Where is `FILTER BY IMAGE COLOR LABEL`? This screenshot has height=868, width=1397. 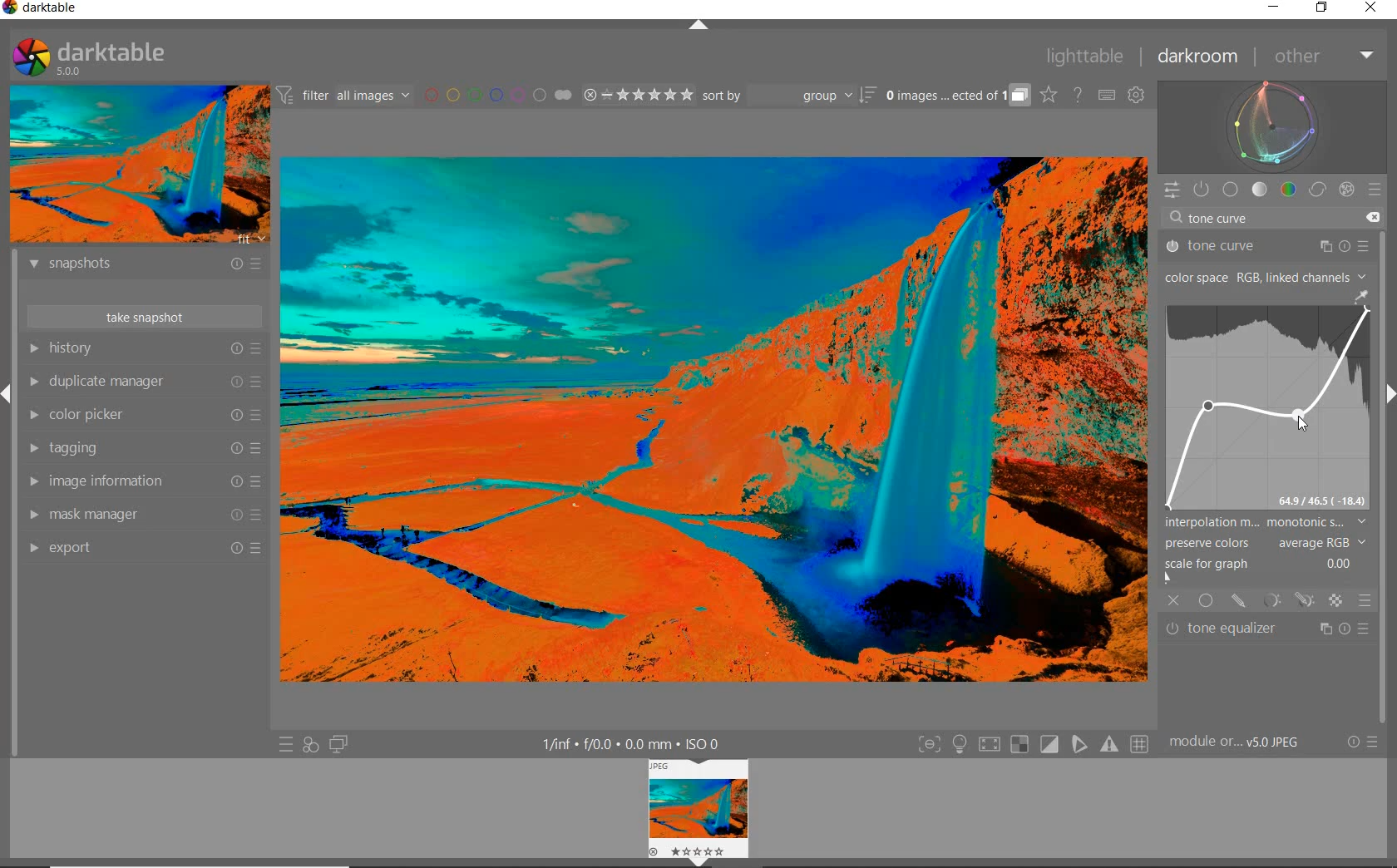
FILTER BY IMAGE COLOR LABEL is located at coordinates (499, 96).